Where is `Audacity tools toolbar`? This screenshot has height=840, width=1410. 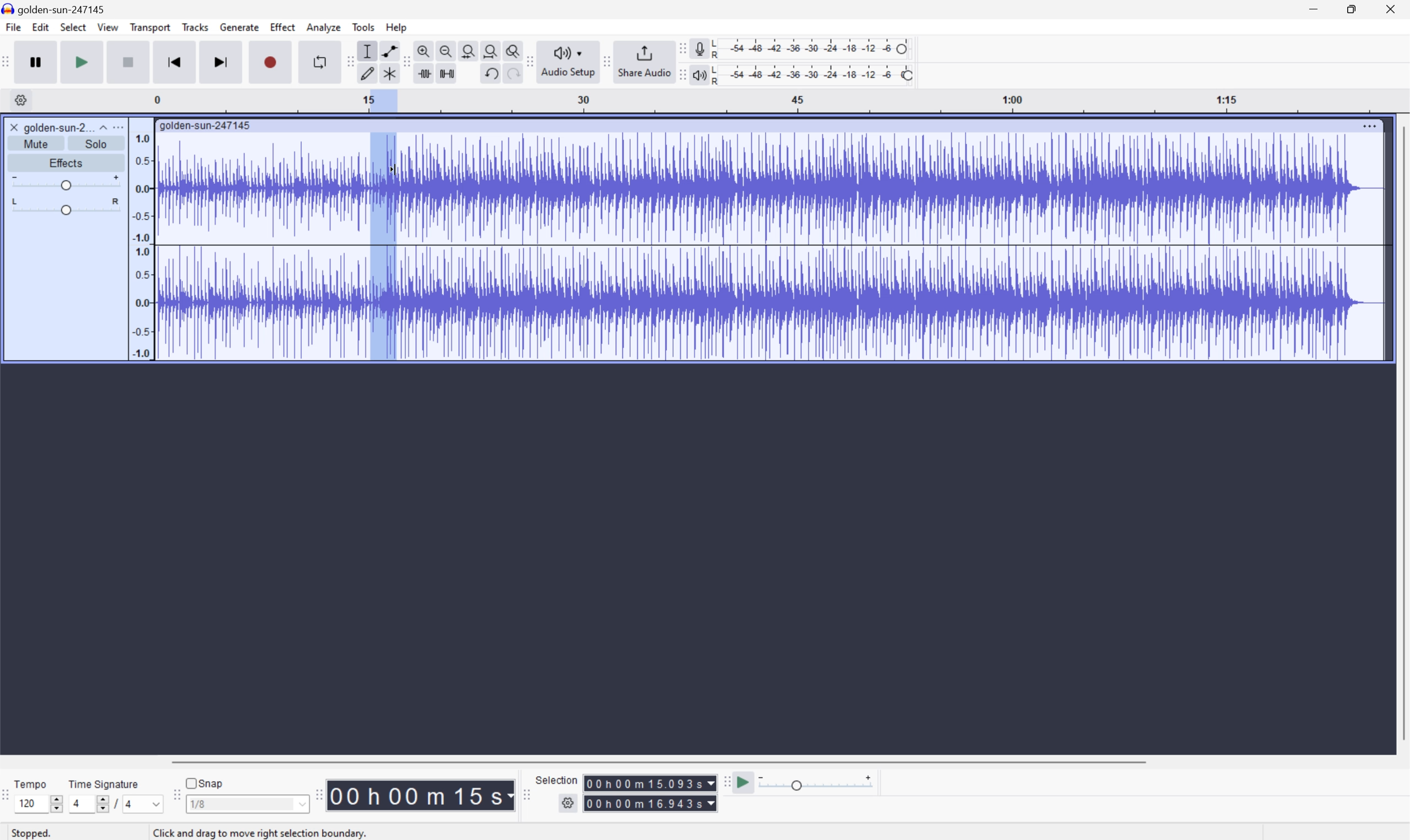
Audacity tools toolbar is located at coordinates (403, 61).